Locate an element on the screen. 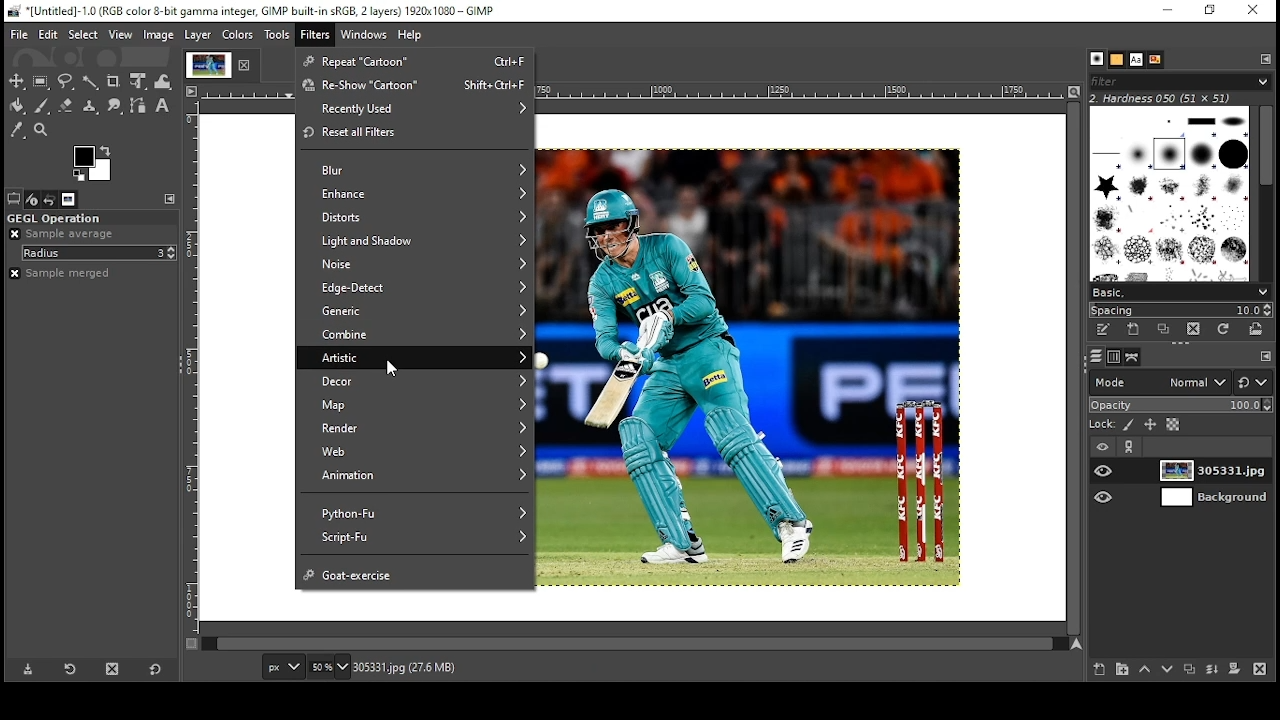 This screenshot has width=1280, height=720. gegl operation is located at coordinates (55, 218).